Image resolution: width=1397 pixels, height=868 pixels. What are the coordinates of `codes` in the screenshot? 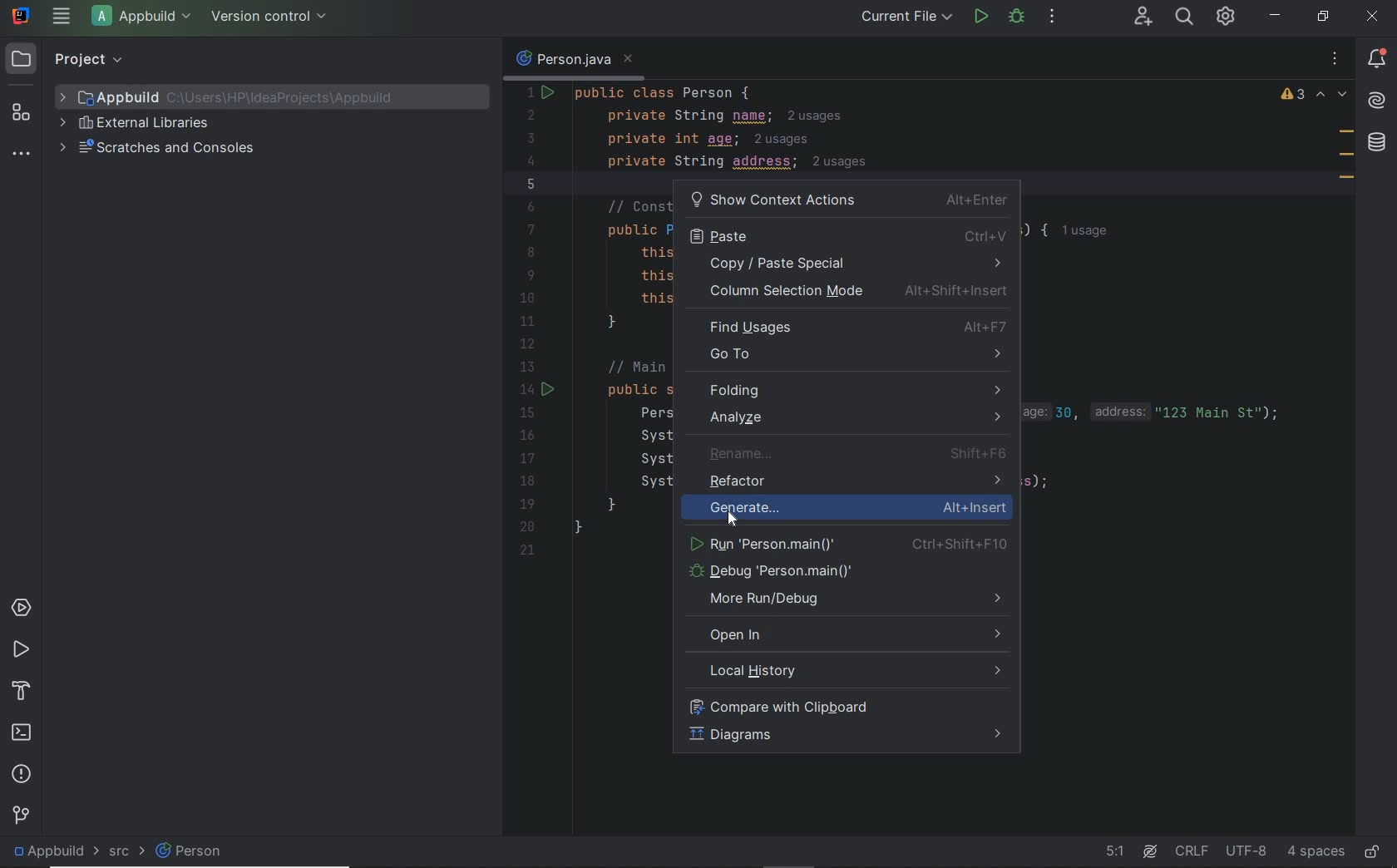 It's located at (884, 126).